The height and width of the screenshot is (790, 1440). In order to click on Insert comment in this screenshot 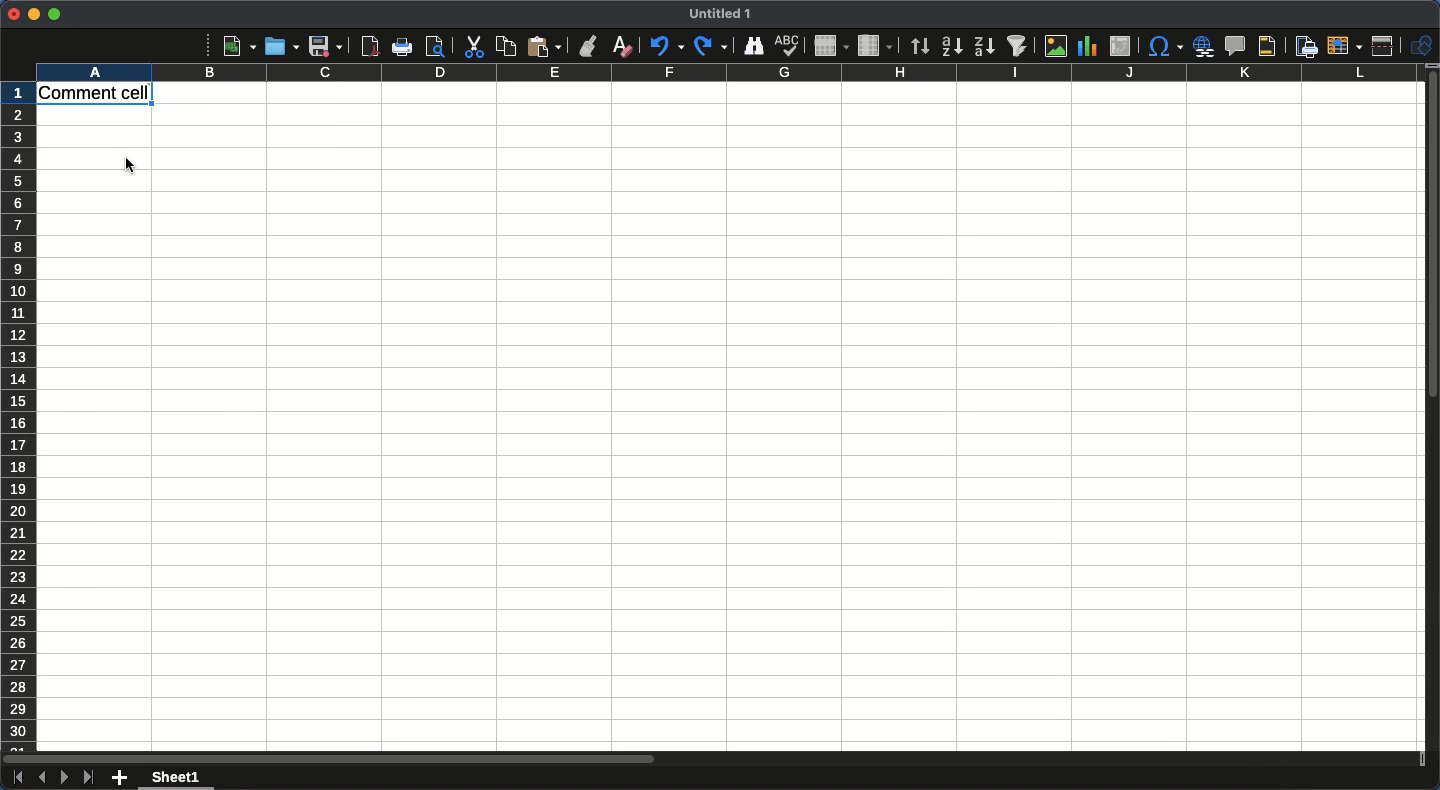, I will do `click(1234, 44)`.